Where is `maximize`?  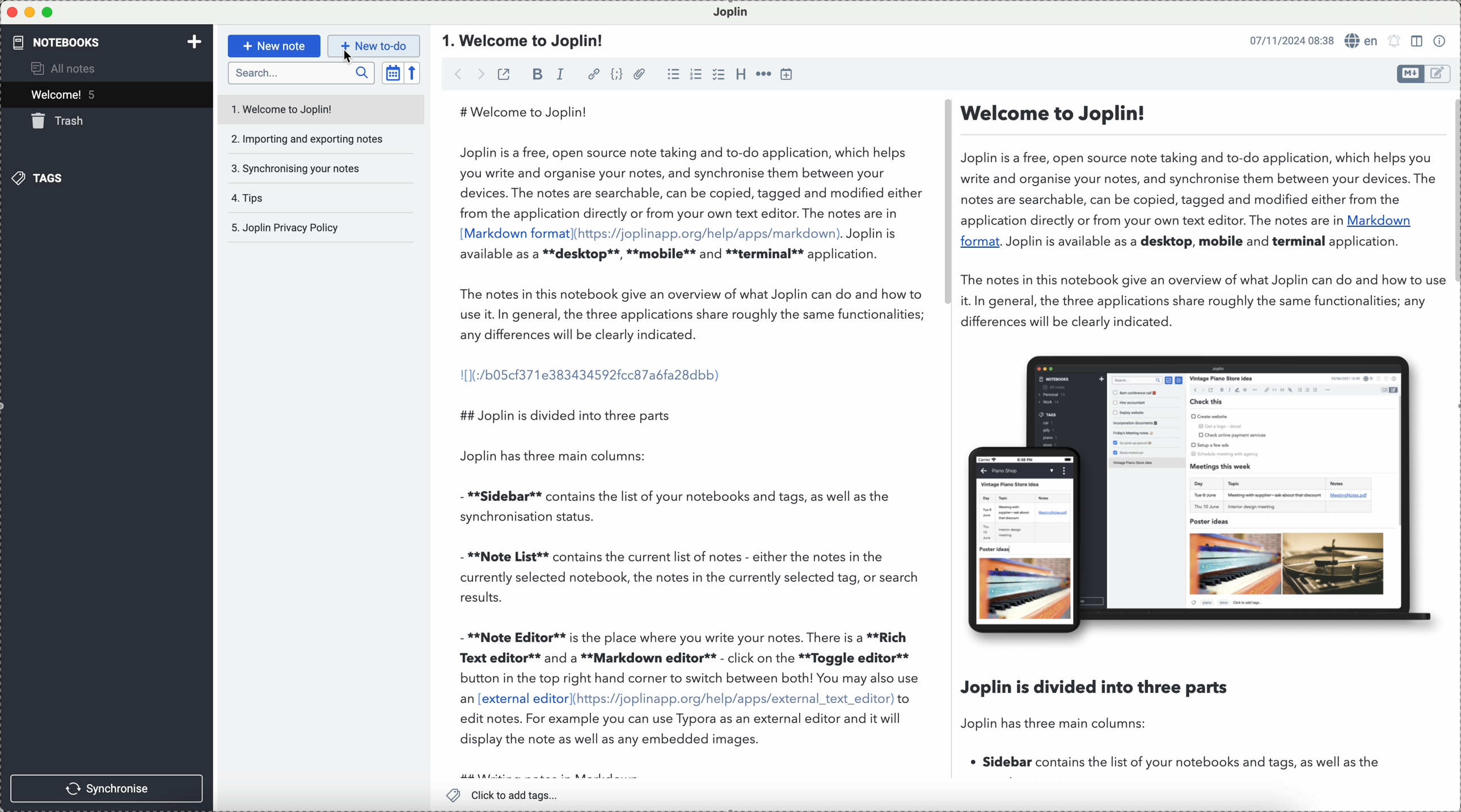
maximize is located at coordinates (48, 12).